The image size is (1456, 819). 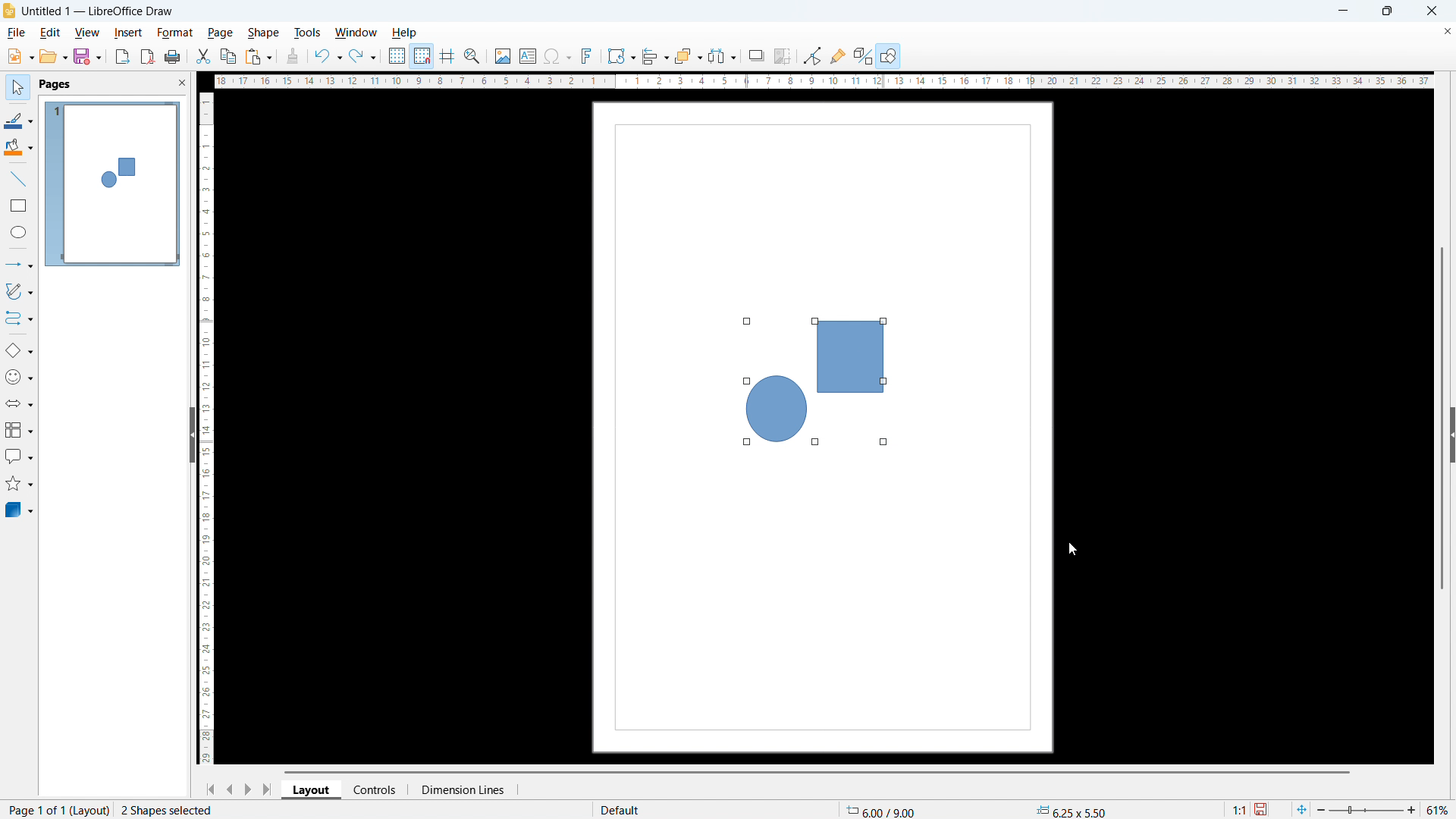 I want to click on zoom slider, so click(x=1369, y=810).